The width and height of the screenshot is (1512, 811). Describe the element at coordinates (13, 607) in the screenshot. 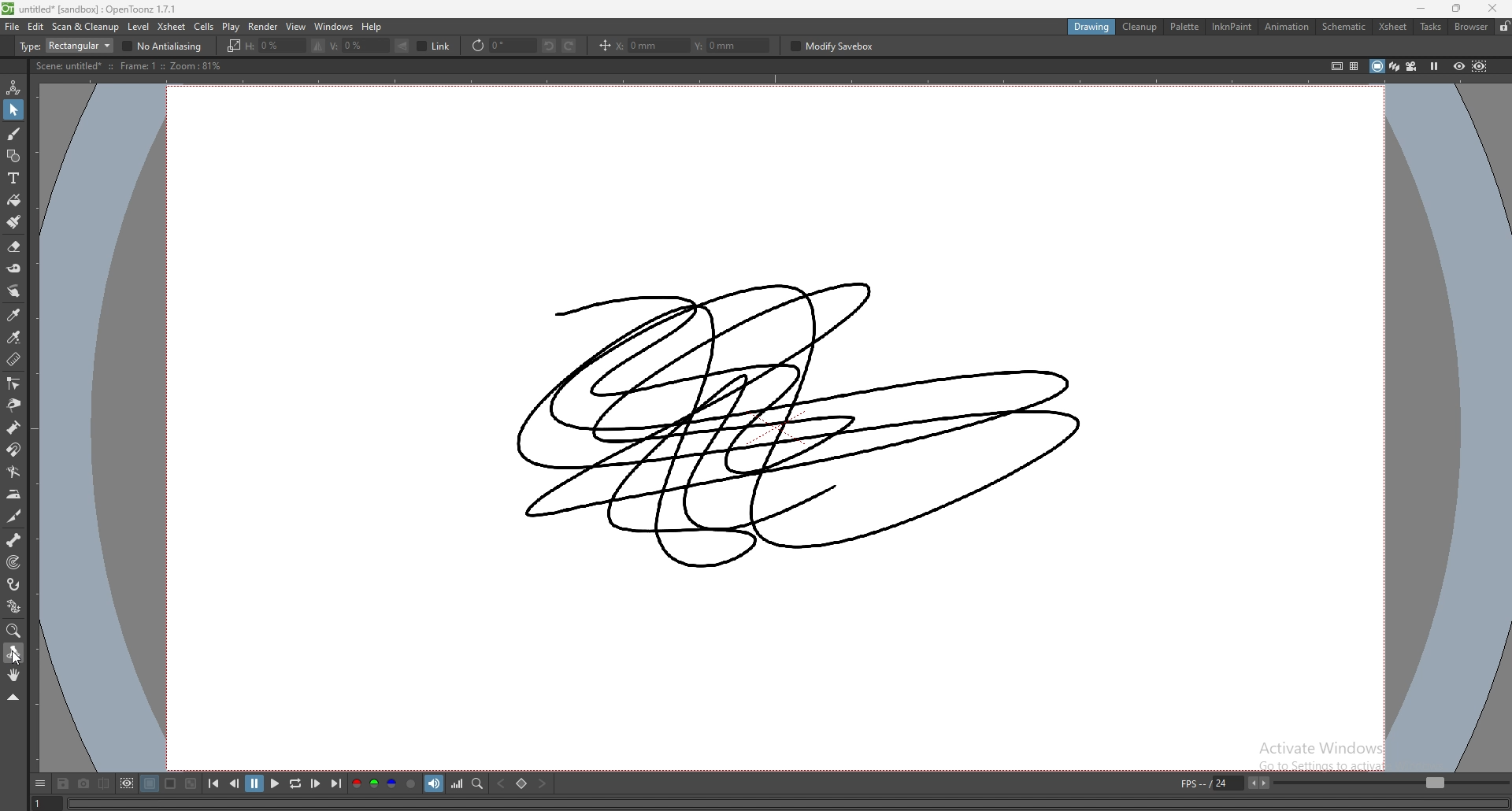

I see `plastic` at that location.